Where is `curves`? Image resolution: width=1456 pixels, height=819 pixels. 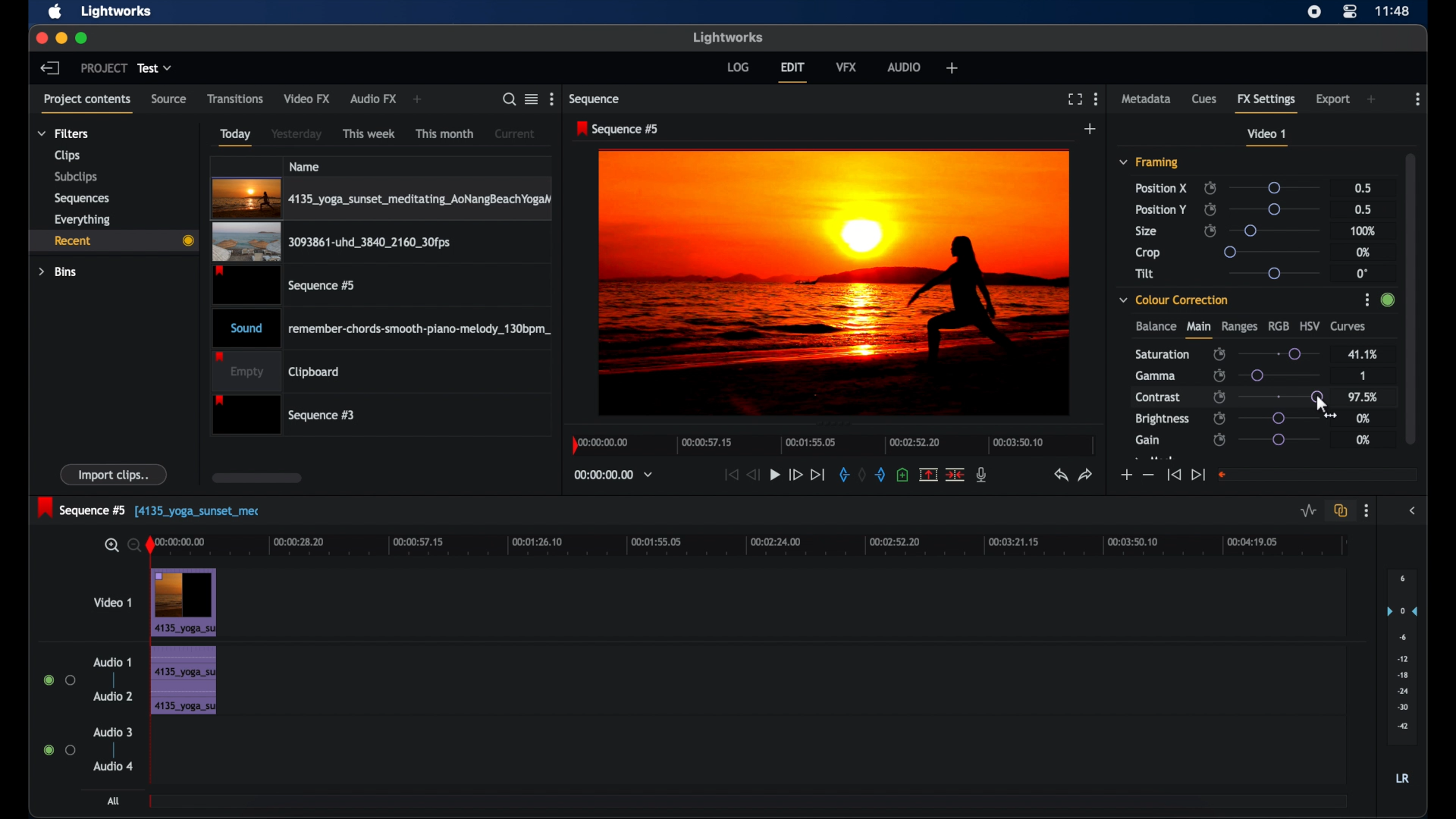
curves is located at coordinates (1350, 327).